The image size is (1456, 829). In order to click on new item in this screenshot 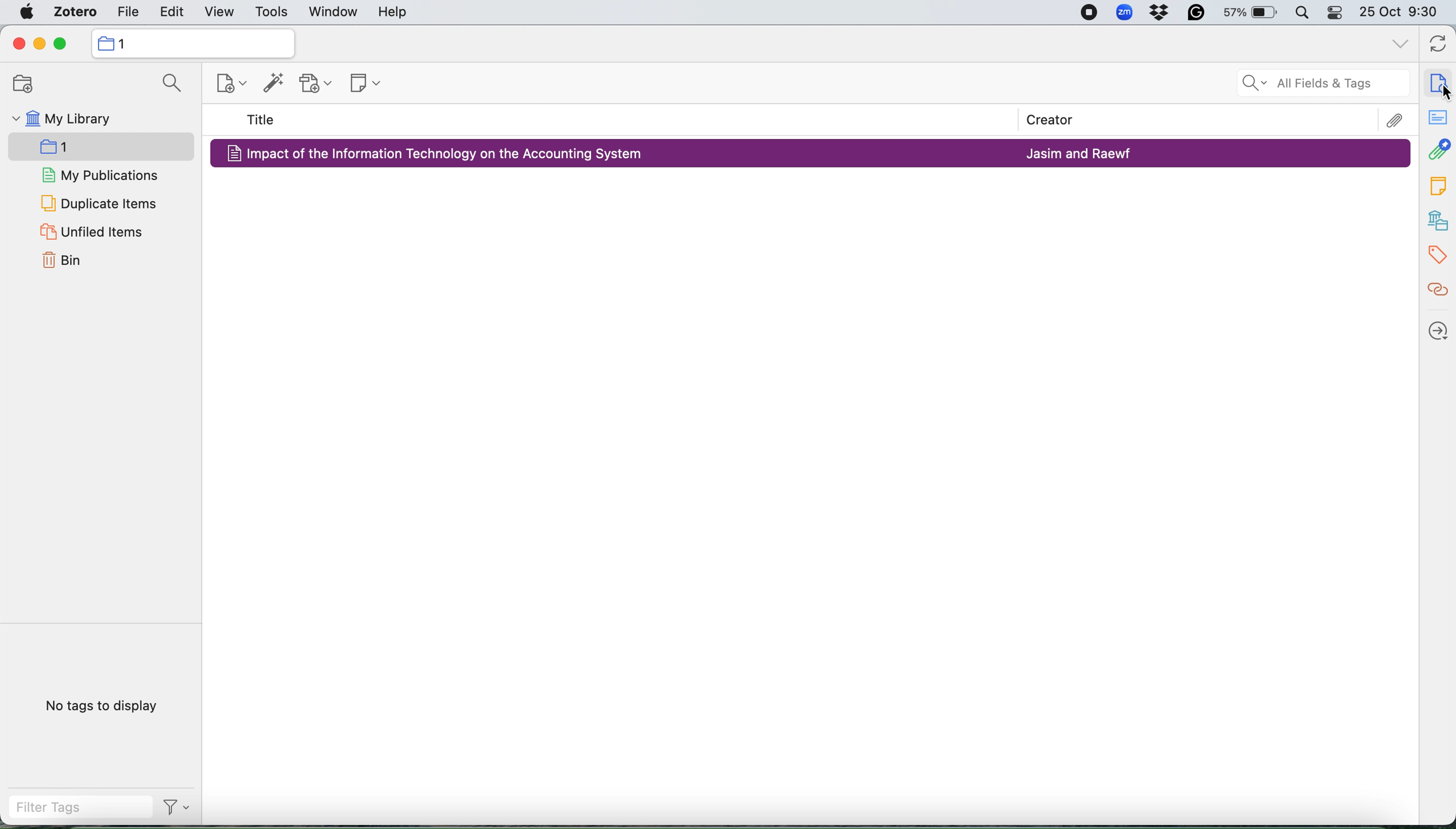, I will do `click(231, 84)`.